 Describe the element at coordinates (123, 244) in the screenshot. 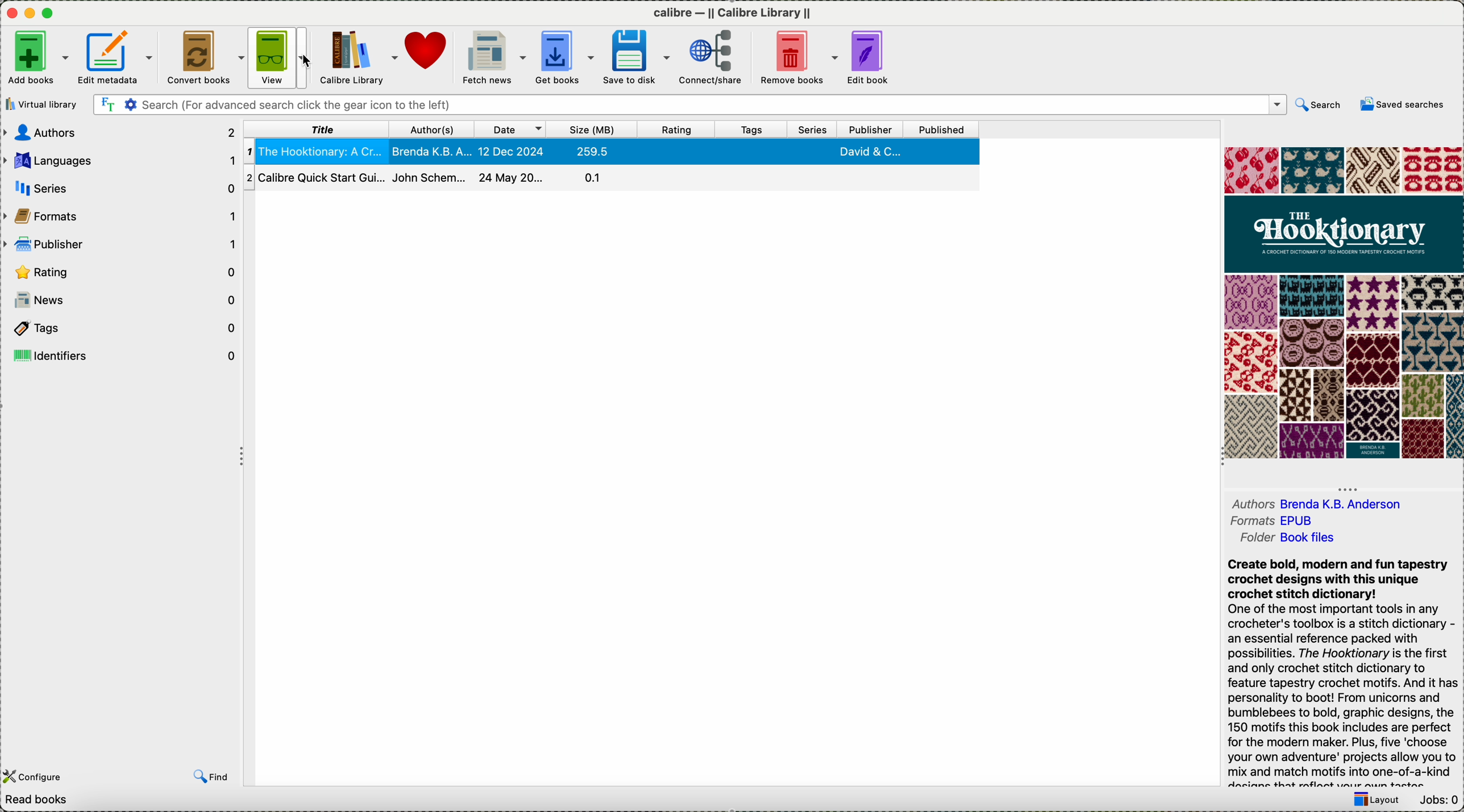

I see `publisher` at that location.